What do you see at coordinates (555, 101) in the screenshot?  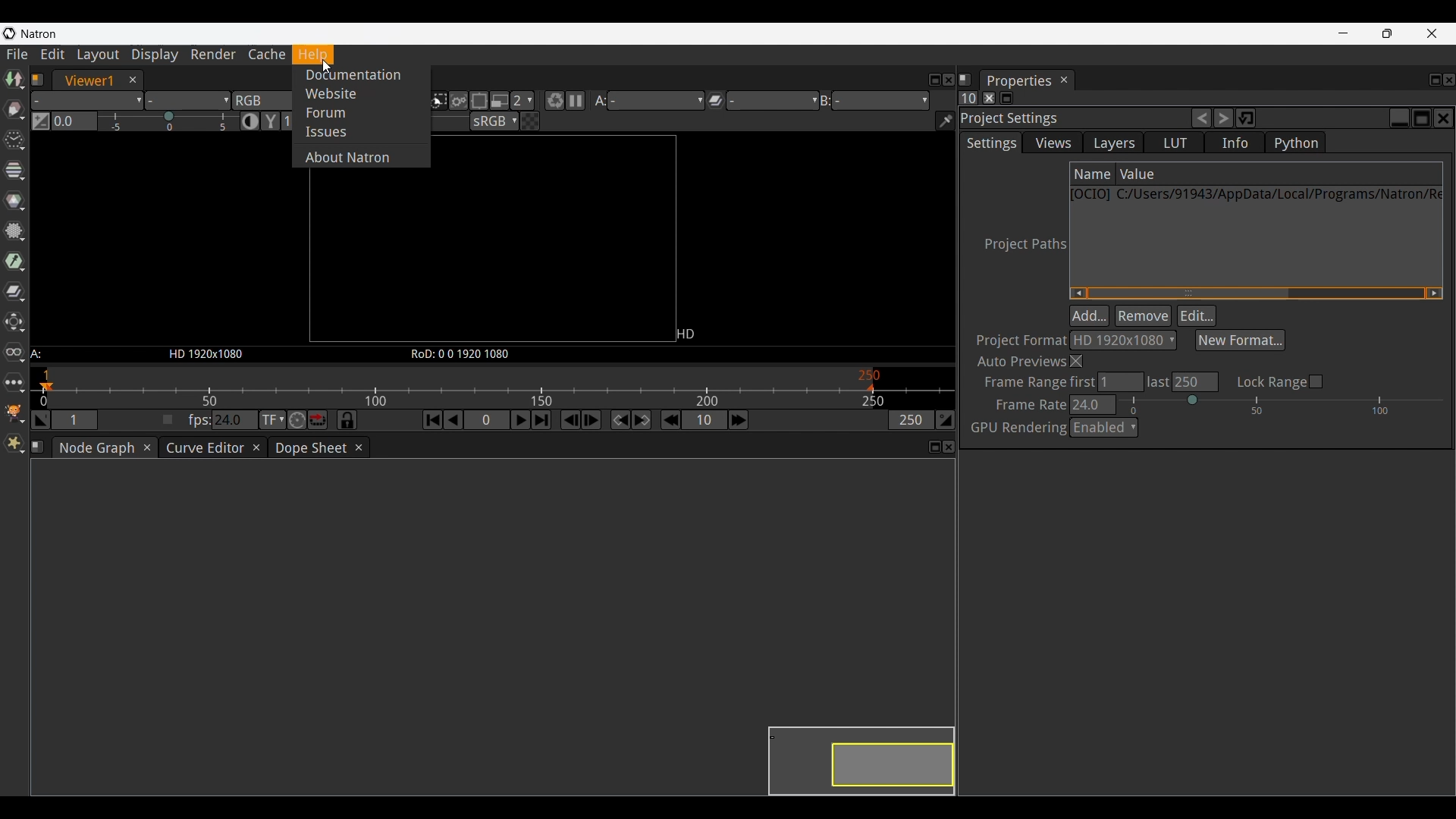 I see `Forces a new render of the current frame` at bounding box center [555, 101].